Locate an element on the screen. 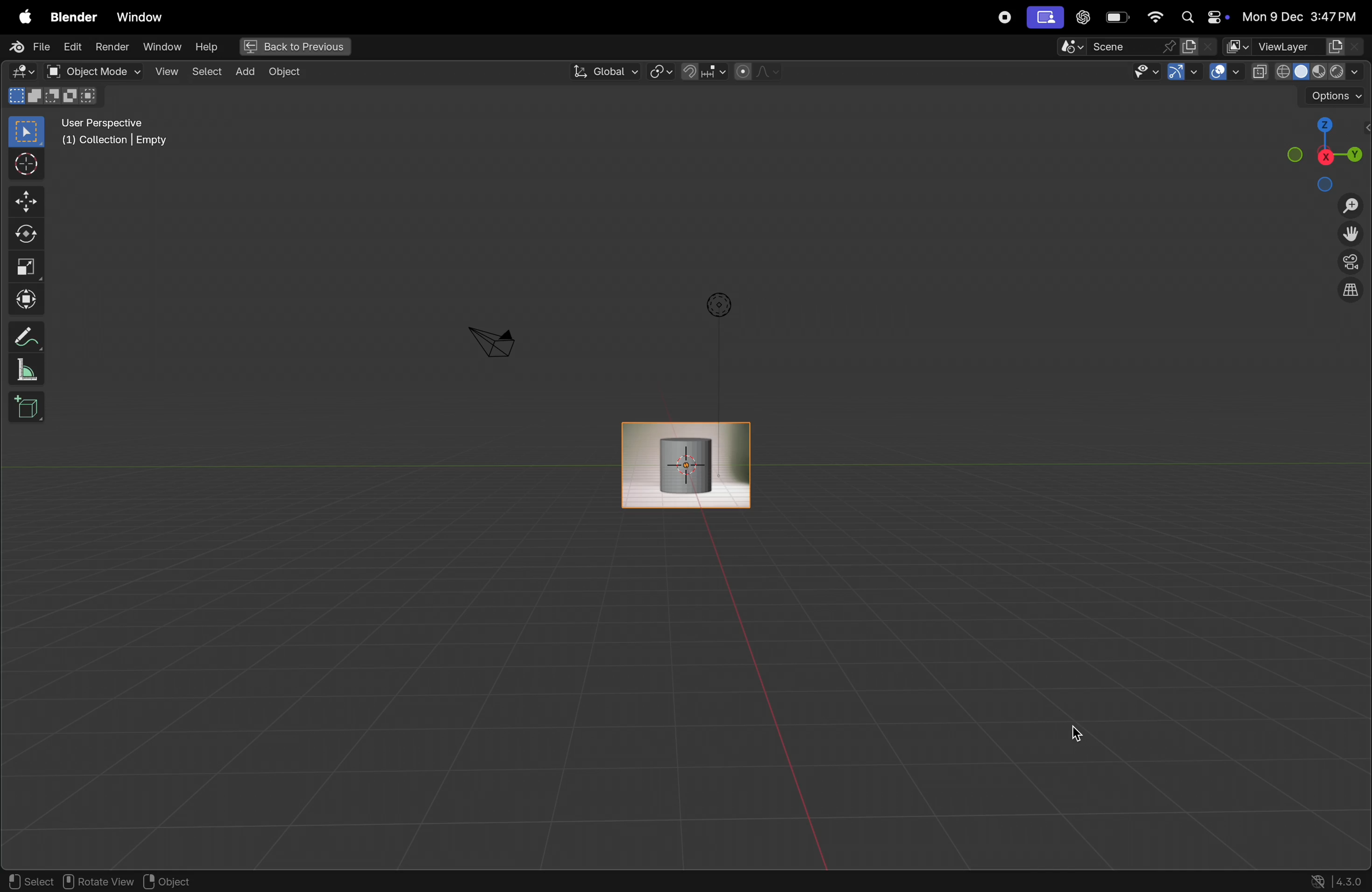  record is located at coordinates (1002, 17).